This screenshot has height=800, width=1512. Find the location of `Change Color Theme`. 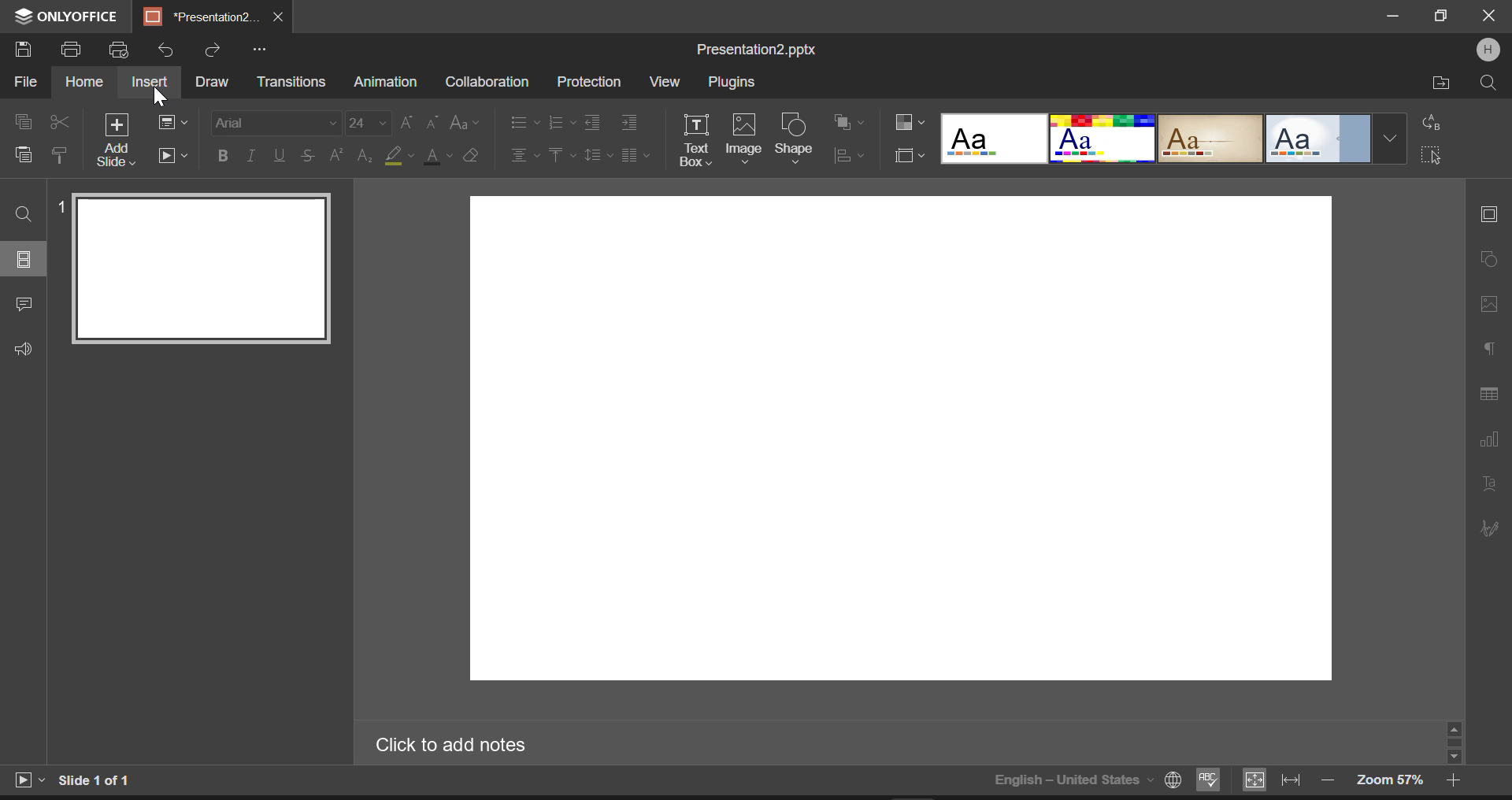

Change Color Theme is located at coordinates (906, 122).